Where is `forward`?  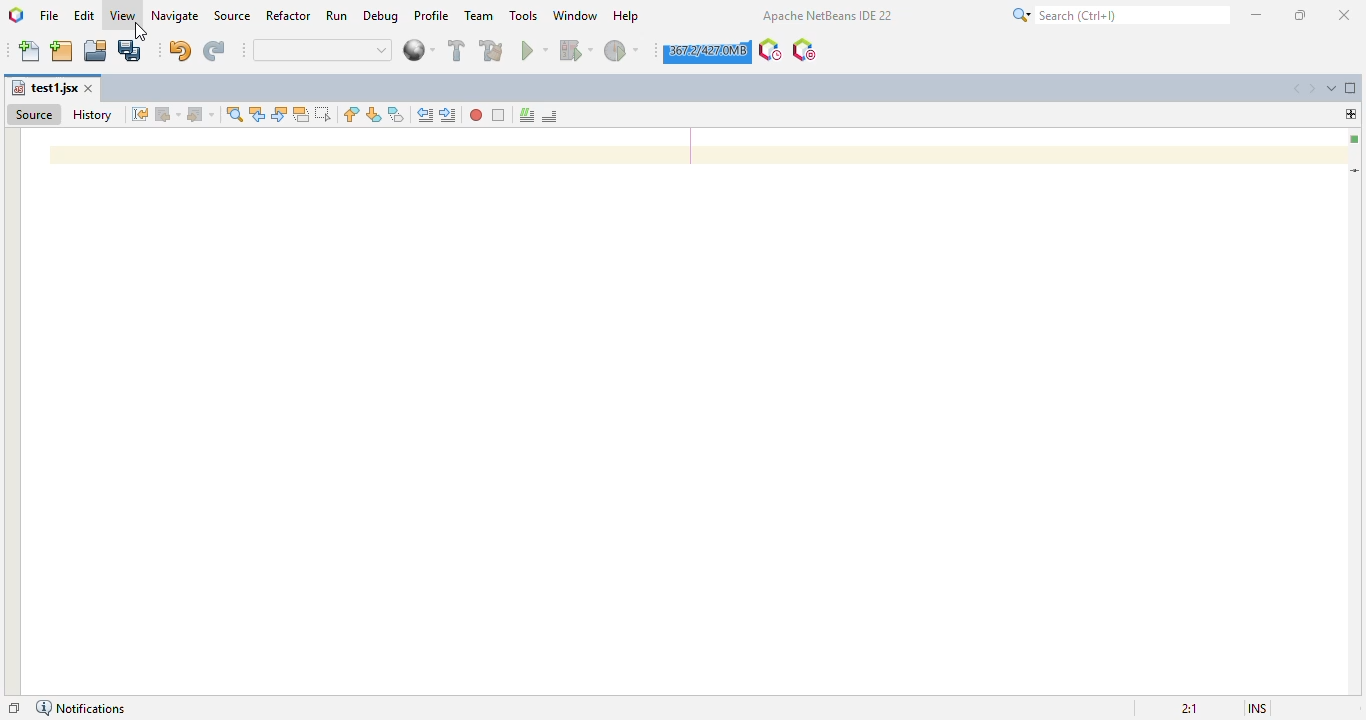
forward is located at coordinates (200, 114).